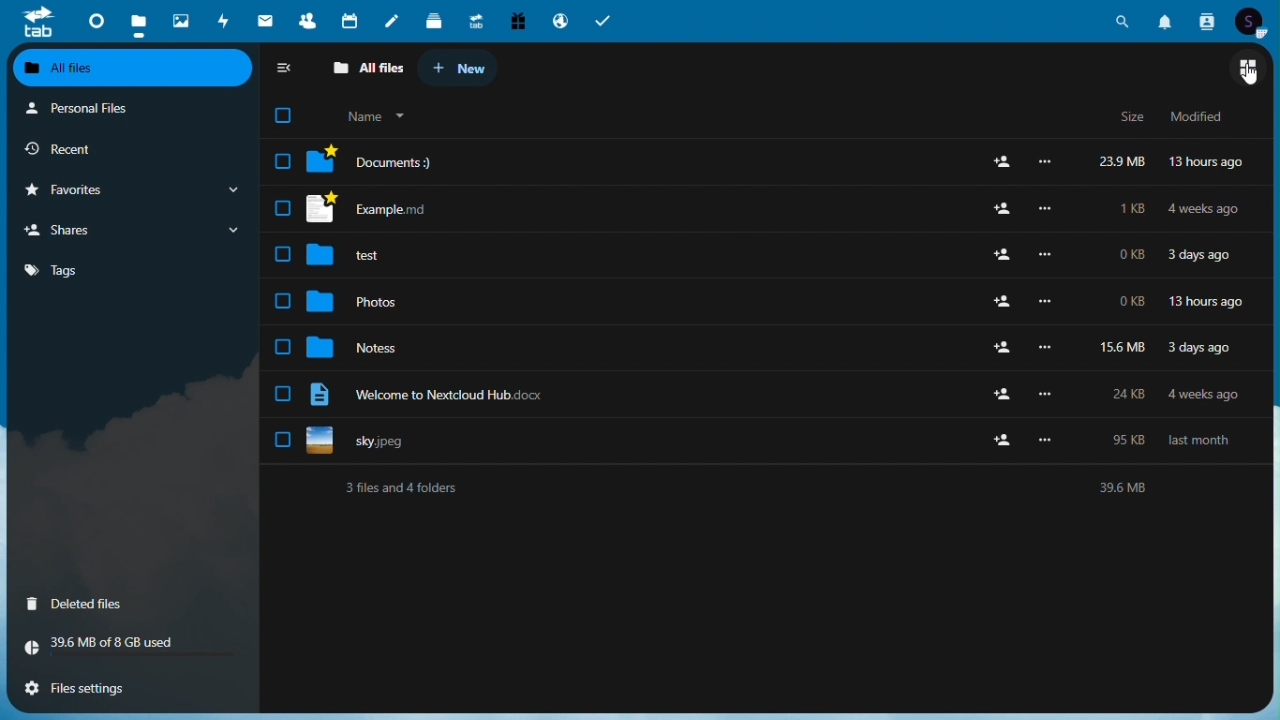 The width and height of the screenshot is (1280, 720). What do you see at coordinates (1133, 210) in the screenshot?
I see `1kb` at bounding box center [1133, 210].